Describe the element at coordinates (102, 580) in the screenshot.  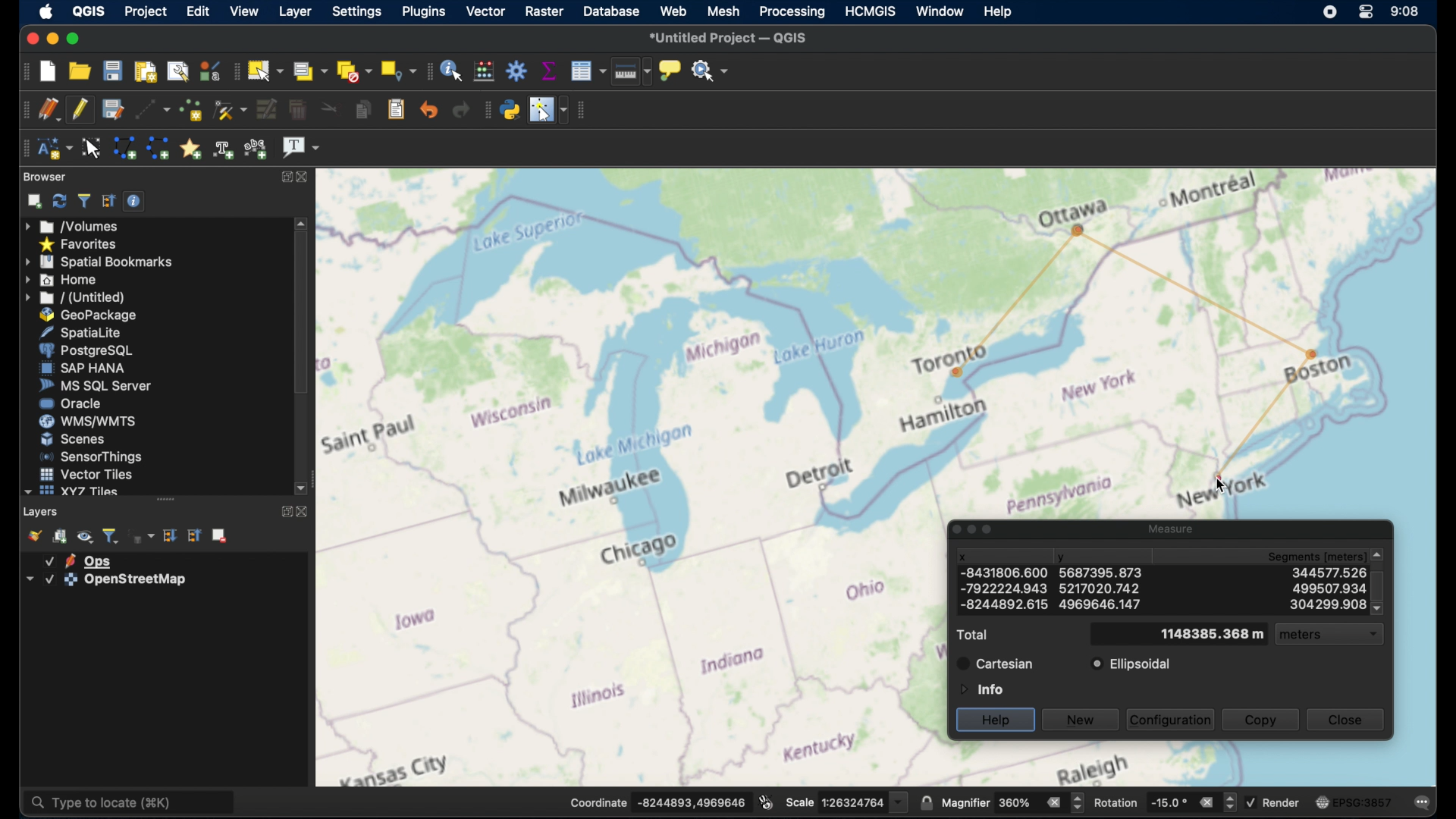
I see `layer` at that location.